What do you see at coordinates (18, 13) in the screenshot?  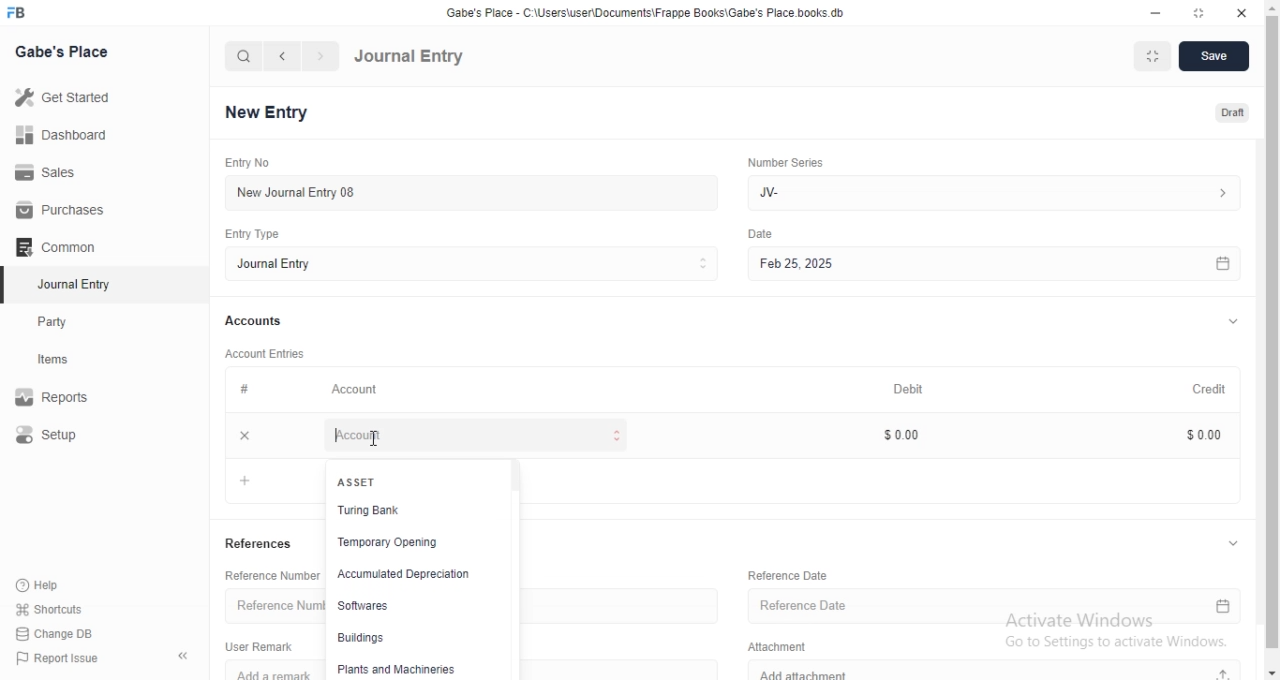 I see `FB` at bounding box center [18, 13].